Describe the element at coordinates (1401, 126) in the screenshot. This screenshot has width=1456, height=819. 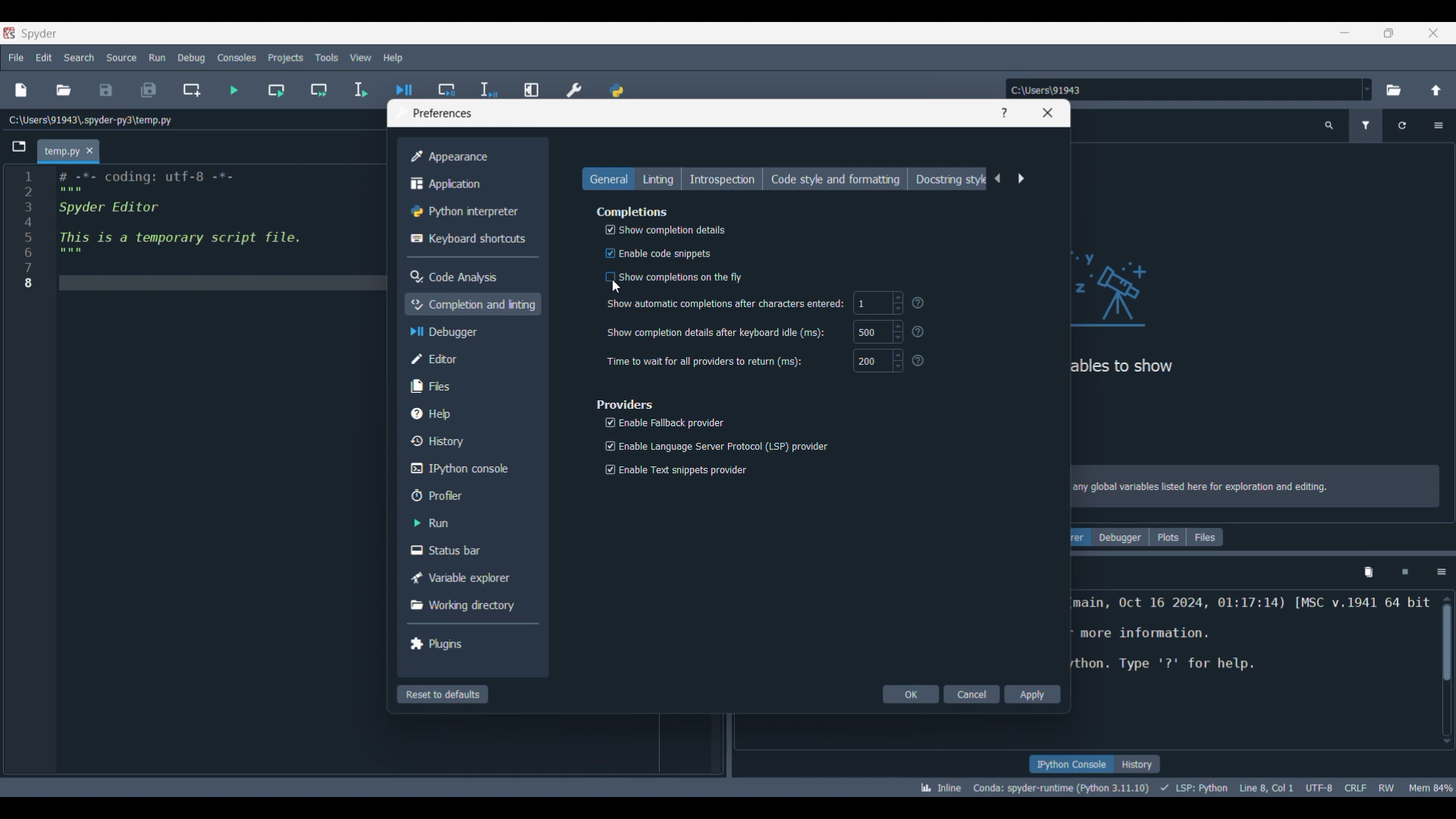
I see `Reload variables` at that location.